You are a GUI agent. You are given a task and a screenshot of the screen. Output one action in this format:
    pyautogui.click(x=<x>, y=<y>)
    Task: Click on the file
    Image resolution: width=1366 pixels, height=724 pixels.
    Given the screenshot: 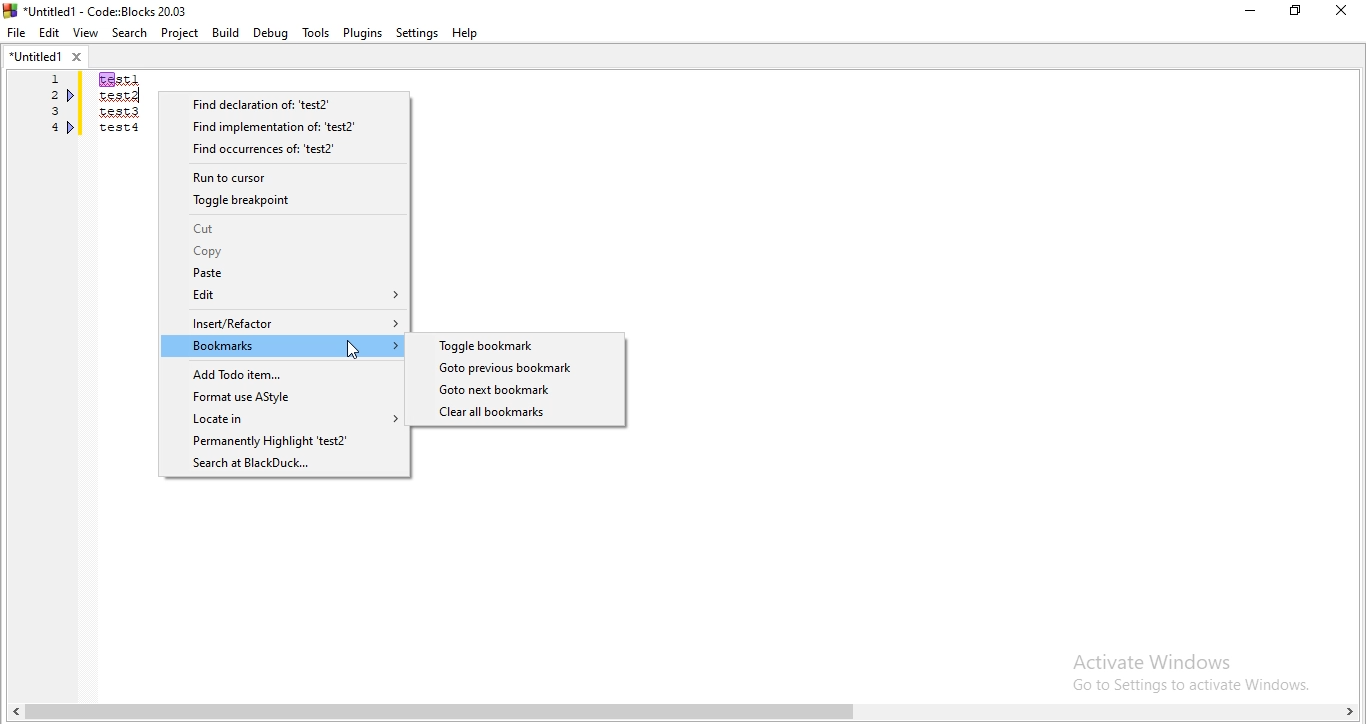 What is the action you would take?
    pyautogui.click(x=16, y=31)
    